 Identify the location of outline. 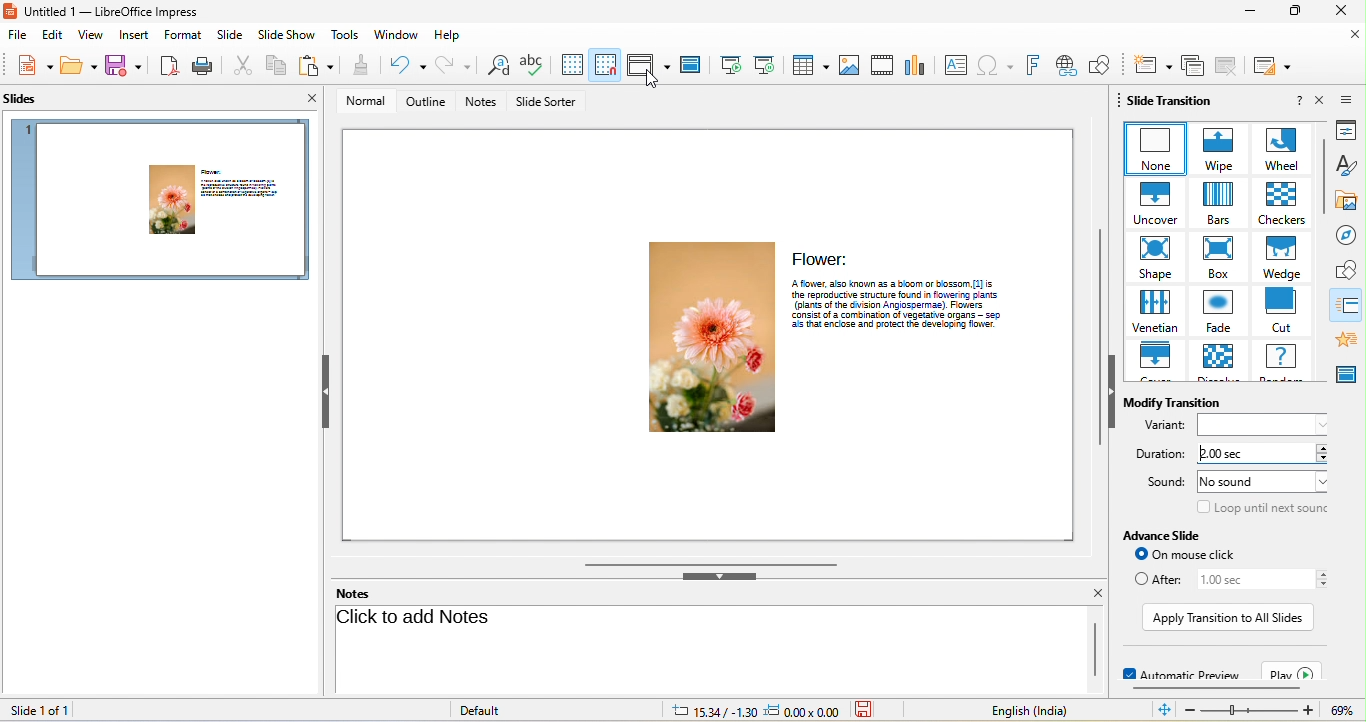
(425, 102).